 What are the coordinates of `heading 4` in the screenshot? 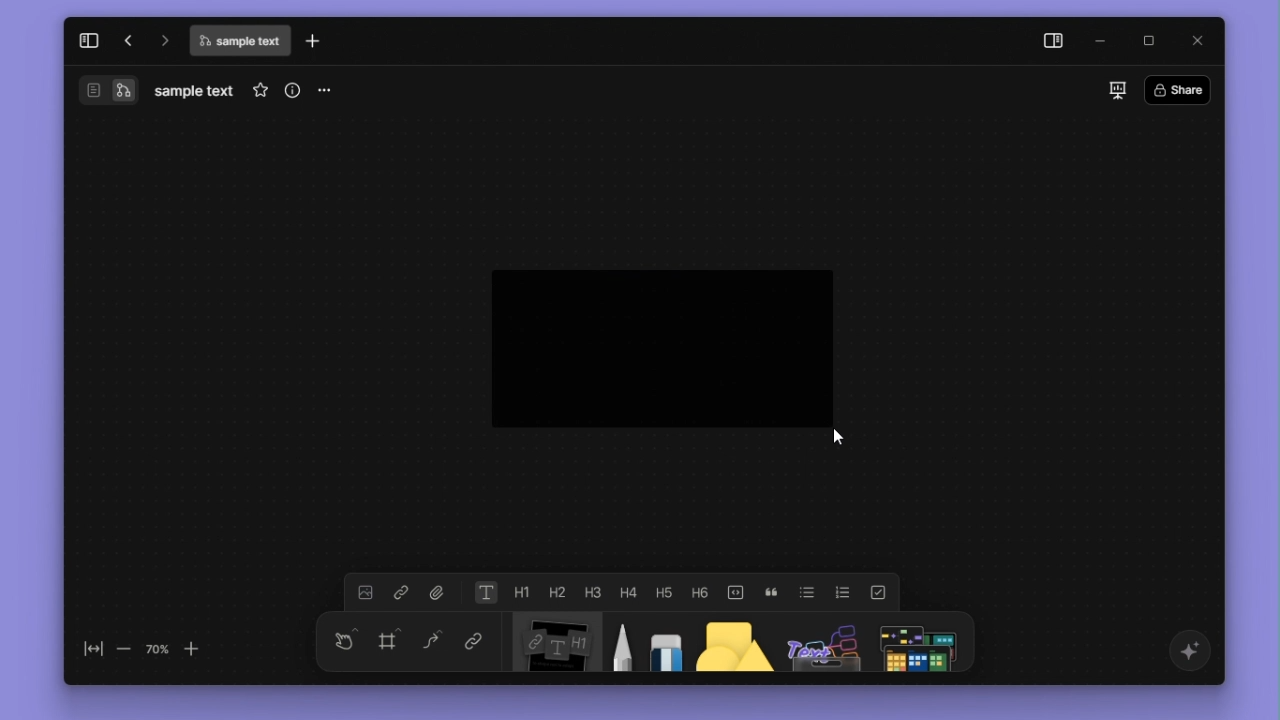 It's located at (629, 591).